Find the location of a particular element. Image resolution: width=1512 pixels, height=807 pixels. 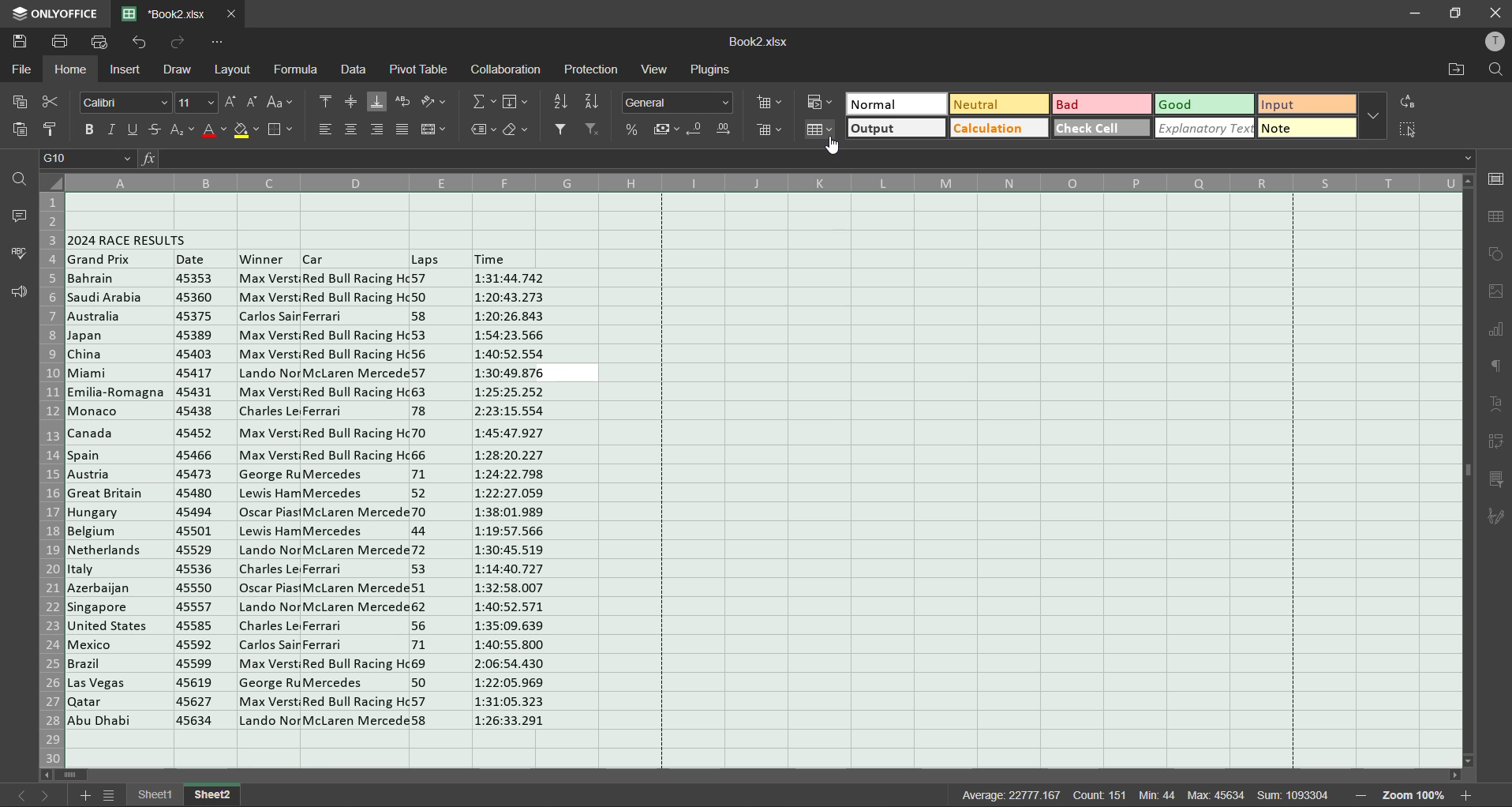

open location is located at coordinates (1460, 73).